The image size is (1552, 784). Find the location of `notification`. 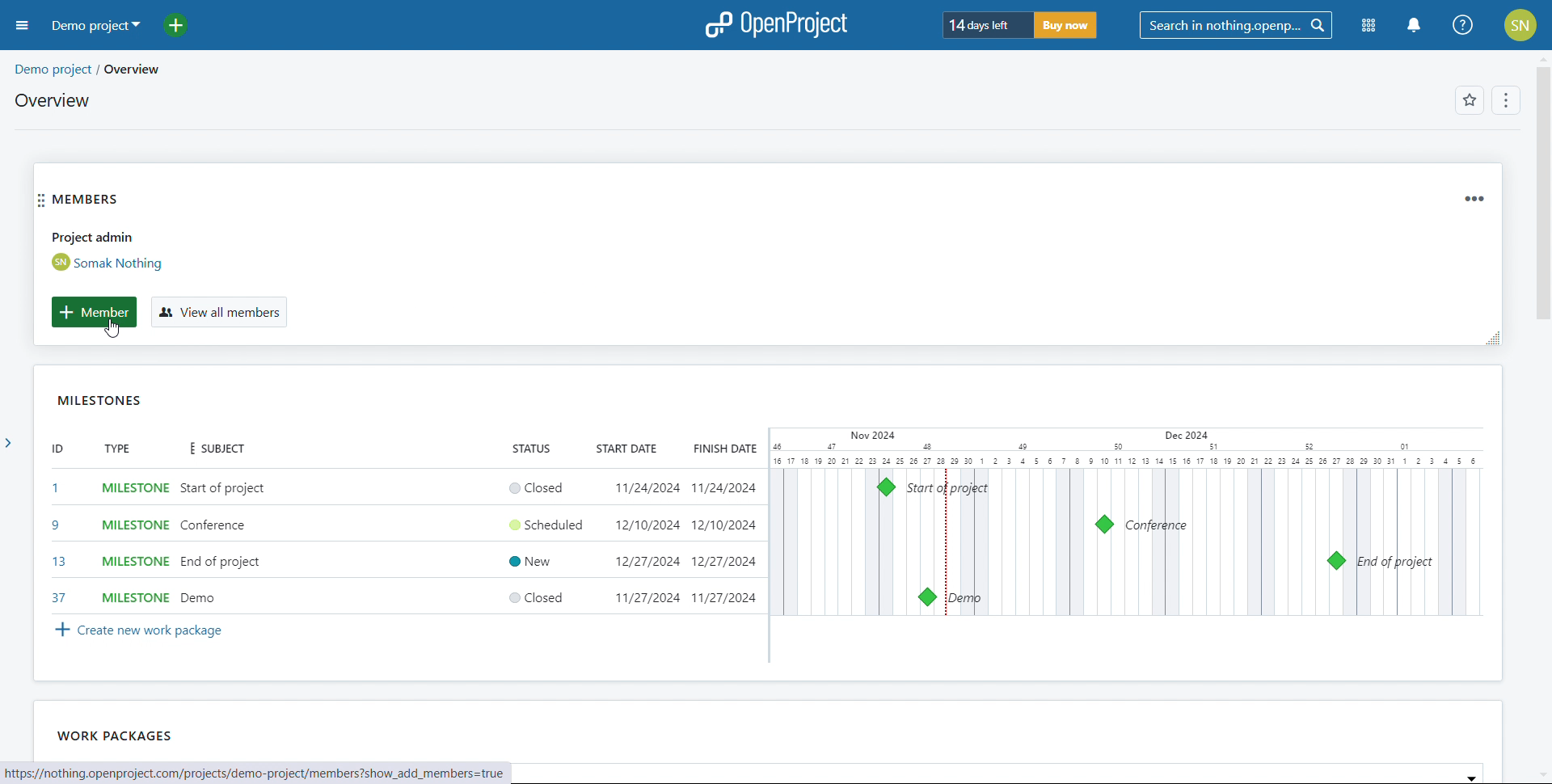

notification is located at coordinates (1416, 25).